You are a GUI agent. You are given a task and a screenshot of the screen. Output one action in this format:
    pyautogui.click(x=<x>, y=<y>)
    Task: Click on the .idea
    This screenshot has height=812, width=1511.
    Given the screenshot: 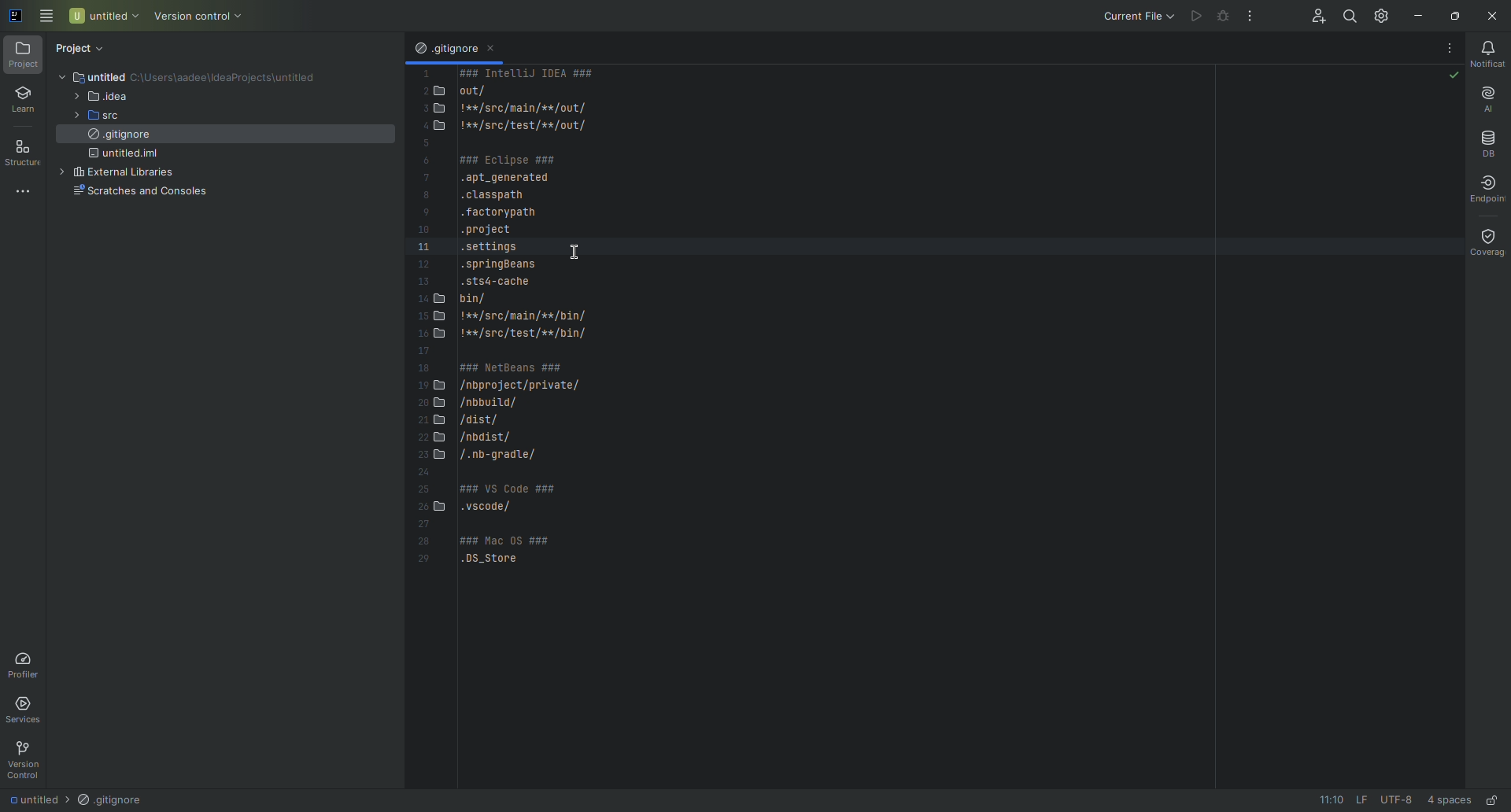 What is the action you would take?
    pyautogui.click(x=105, y=97)
    